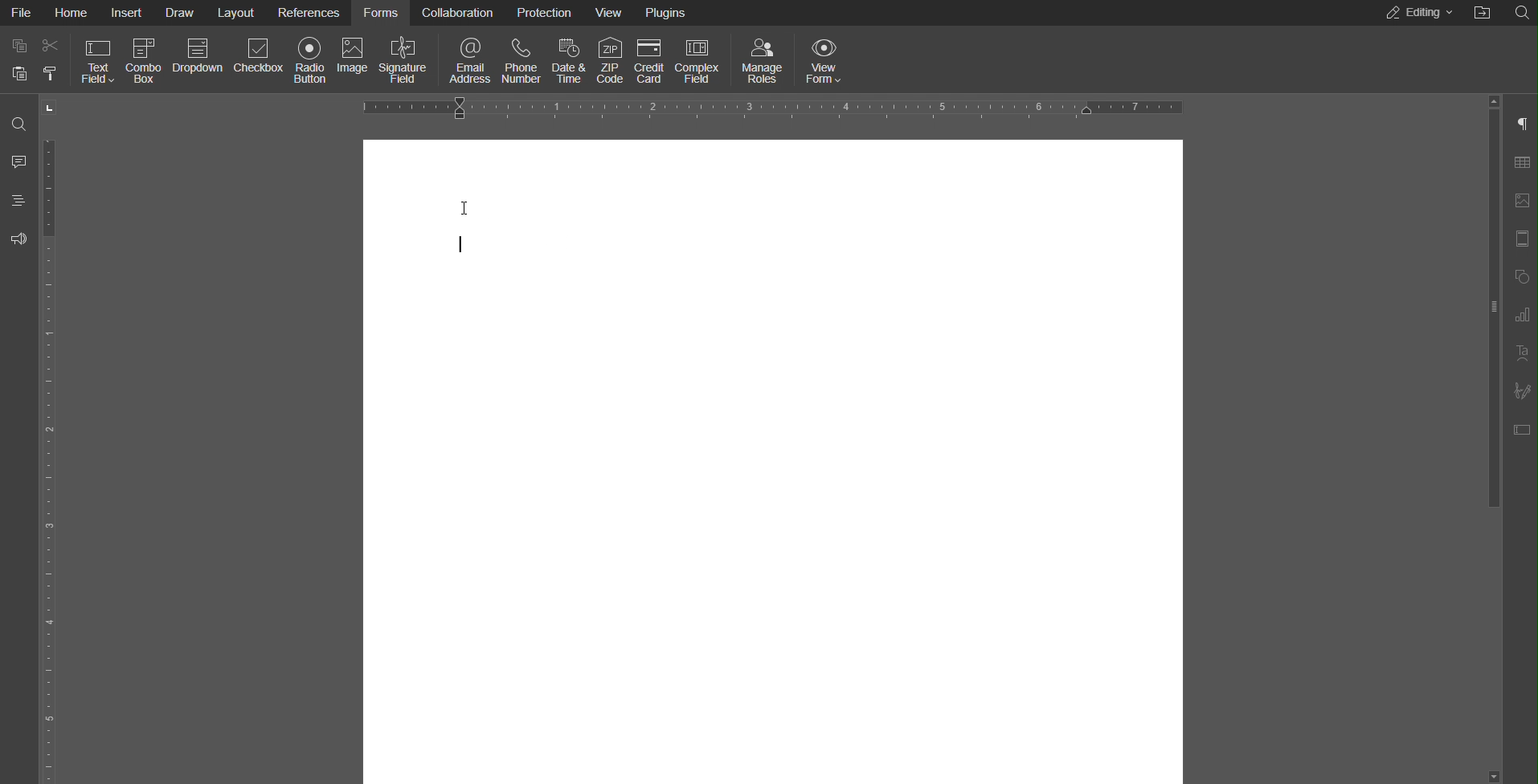 The image size is (1538, 784). Describe the element at coordinates (1520, 125) in the screenshot. I see `Paragraph Settings` at that location.